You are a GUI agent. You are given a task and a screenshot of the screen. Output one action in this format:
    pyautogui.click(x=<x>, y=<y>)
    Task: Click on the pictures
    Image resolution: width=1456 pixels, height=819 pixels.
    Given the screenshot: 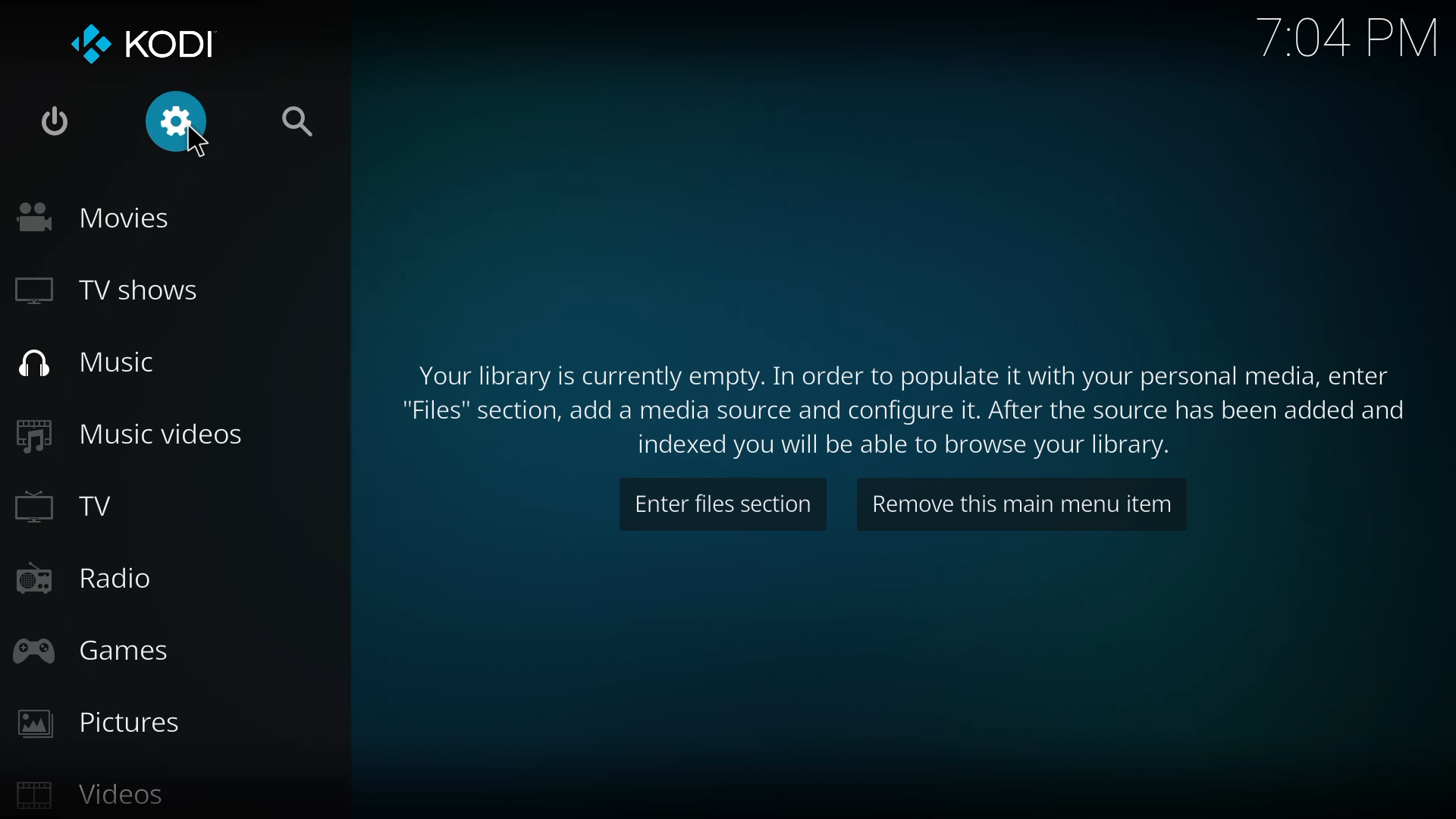 What is the action you would take?
    pyautogui.click(x=105, y=722)
    